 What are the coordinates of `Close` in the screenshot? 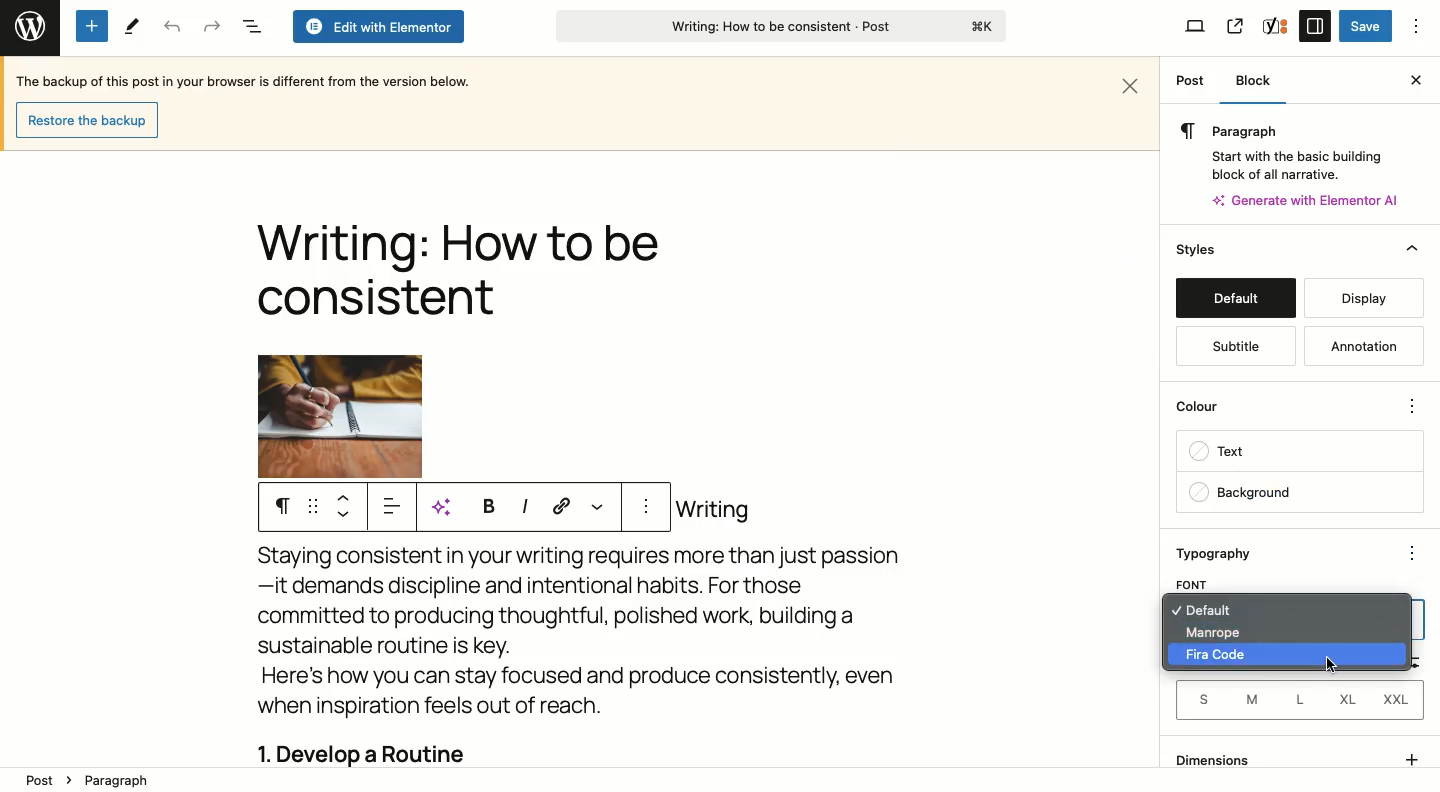 It's located at (1132, 83).